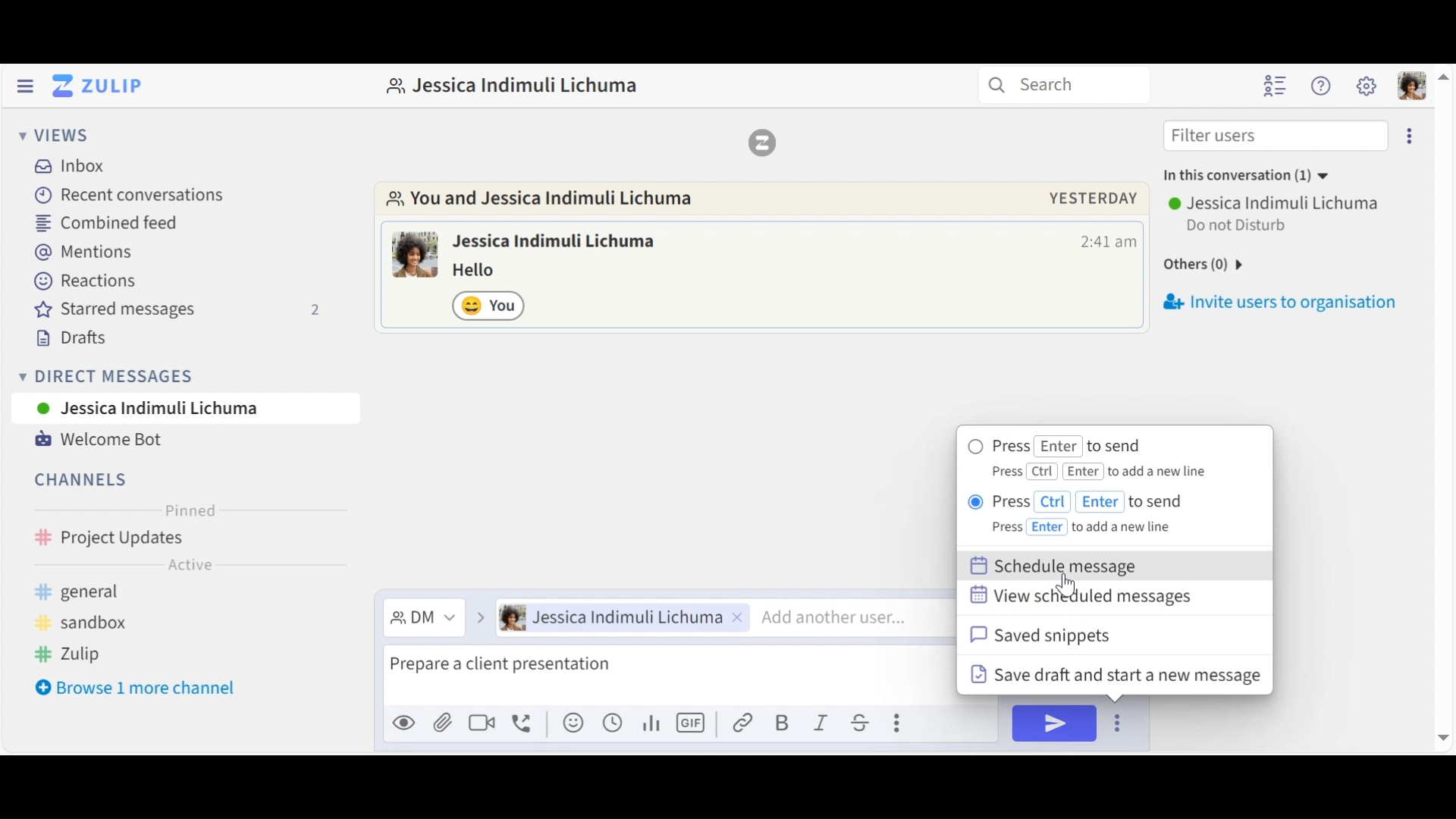 This screenshot has height=819, width=1456. What do you see at coordinates (551, 200) in the screenshot?
I see `Go to direct message with user` at bounding box center [551, 200].